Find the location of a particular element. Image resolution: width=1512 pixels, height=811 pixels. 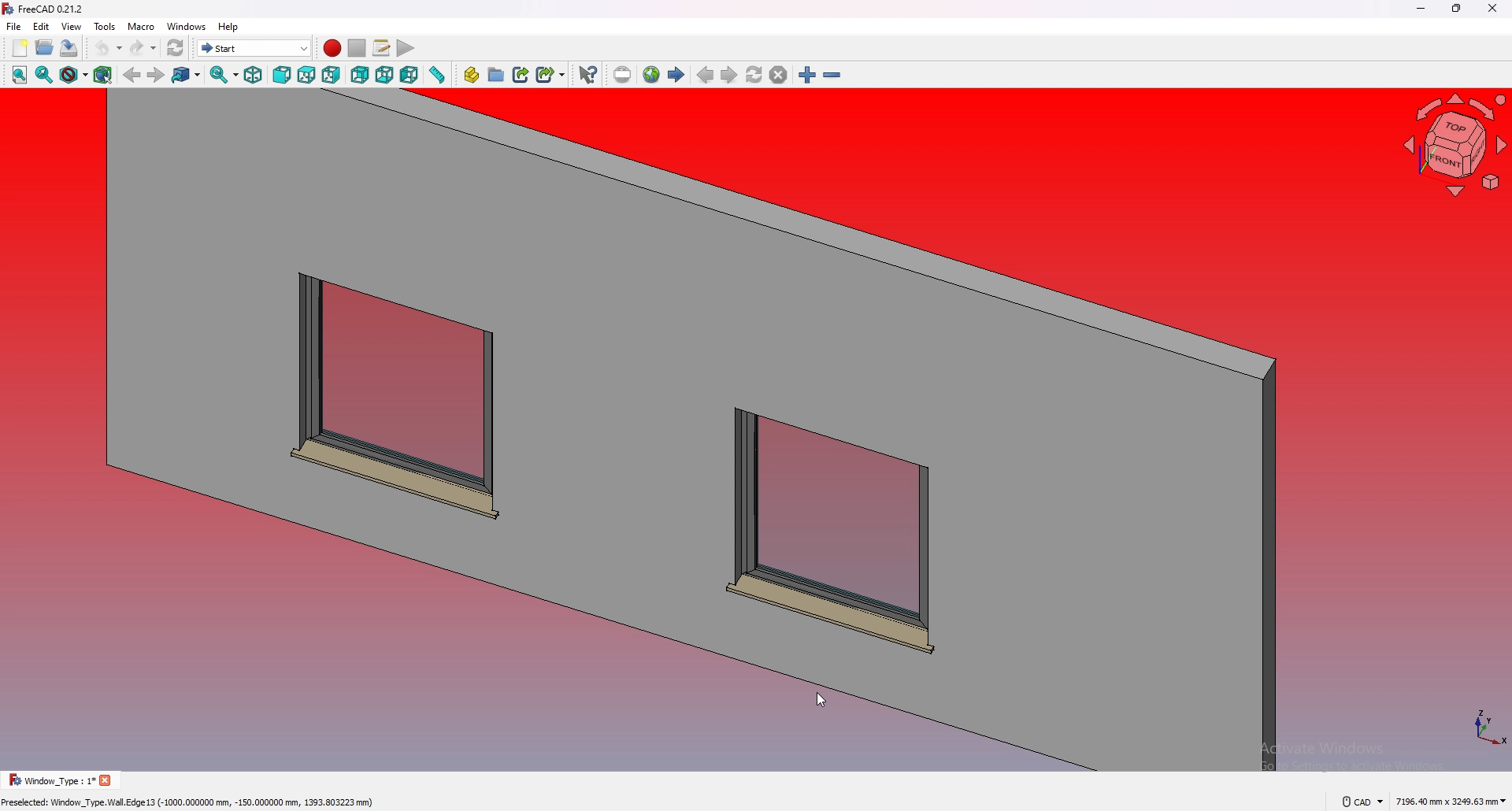

make link is located at coordinates (522, 73).